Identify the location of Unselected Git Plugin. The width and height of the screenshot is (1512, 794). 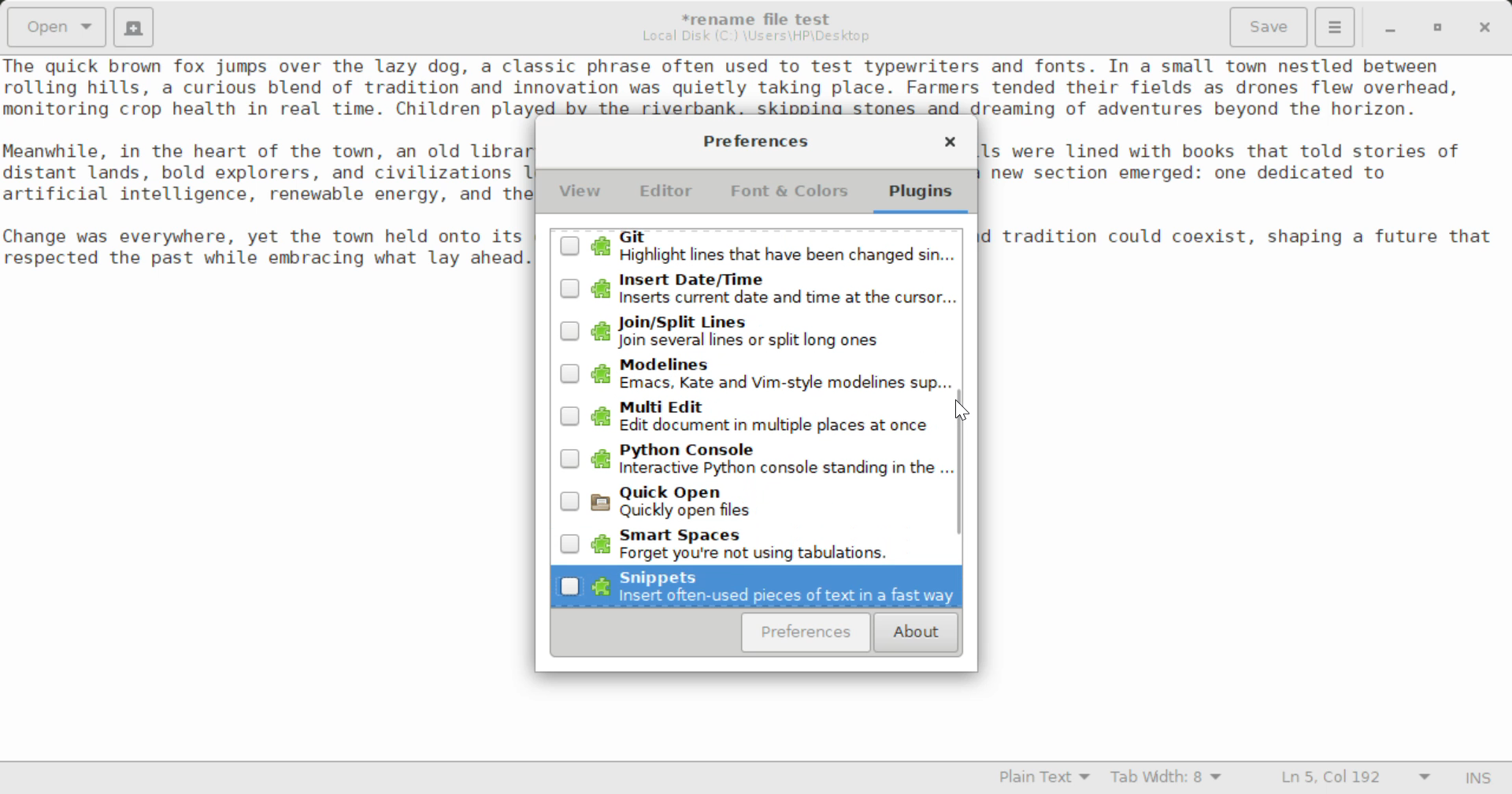
(756, 250).